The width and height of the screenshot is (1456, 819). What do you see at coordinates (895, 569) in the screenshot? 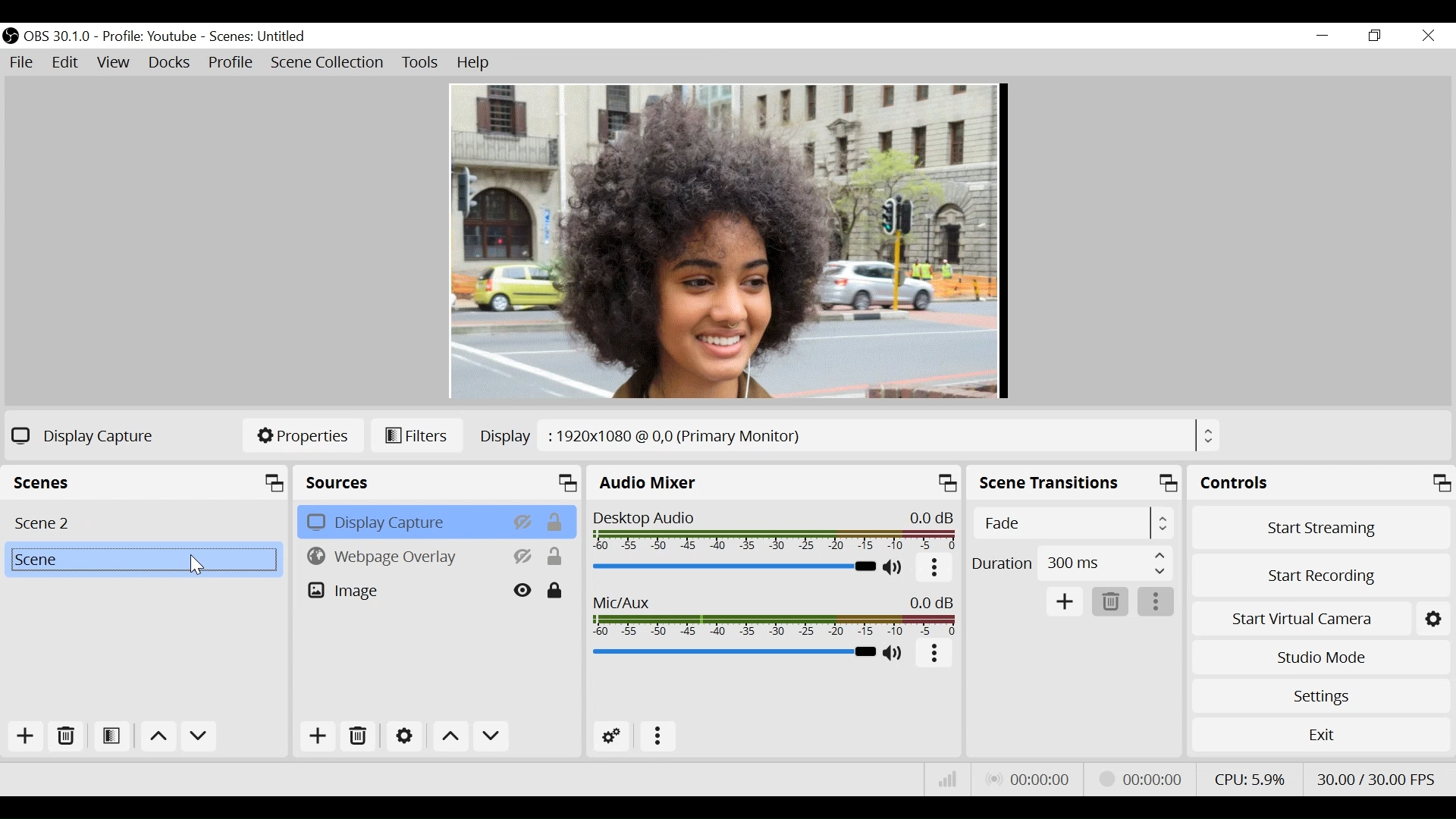
I see `(un)mute` at bounding box center [895, 569].